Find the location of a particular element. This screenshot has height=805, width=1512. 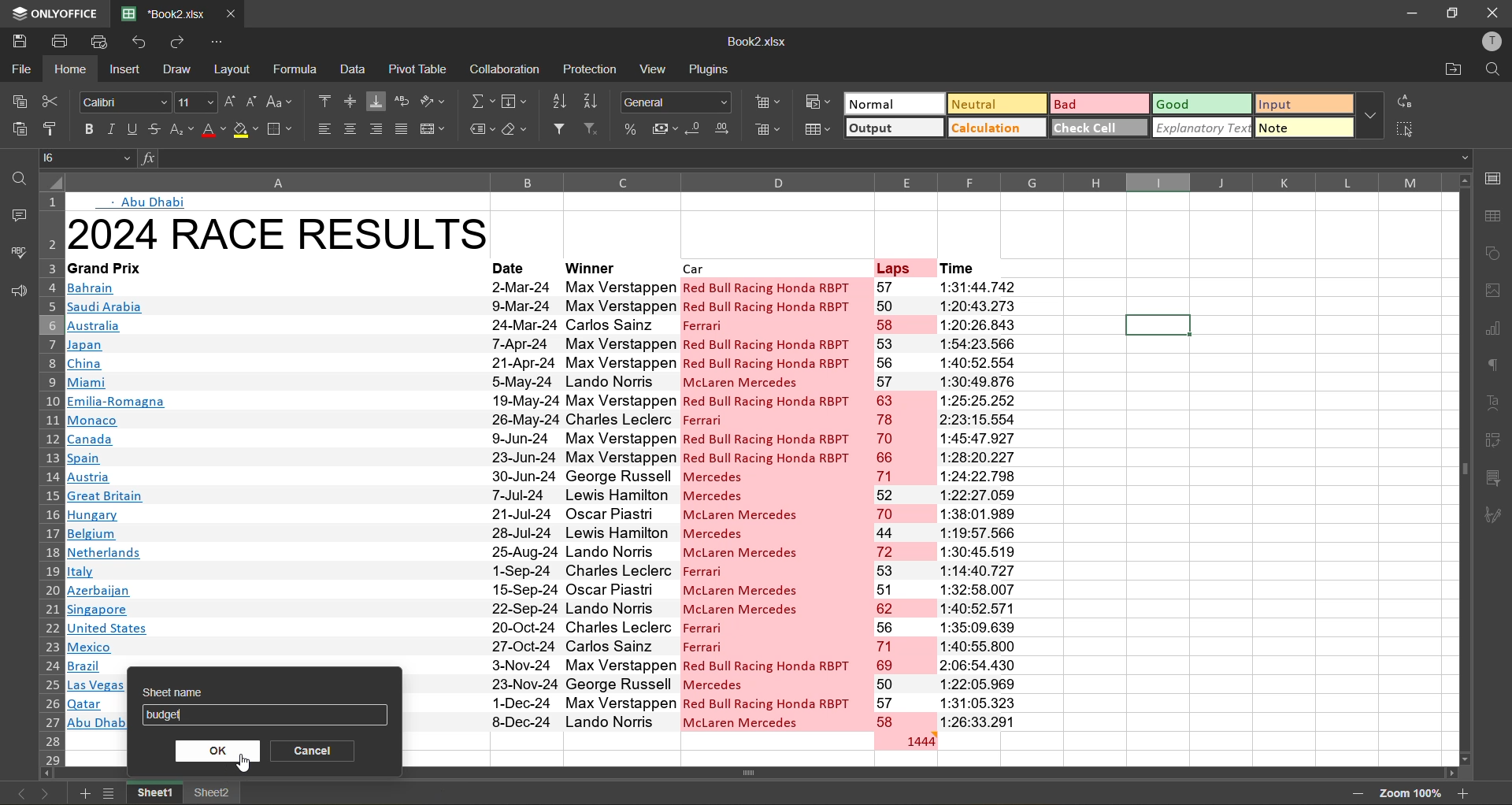

percent is located at coordinates (628, 130).